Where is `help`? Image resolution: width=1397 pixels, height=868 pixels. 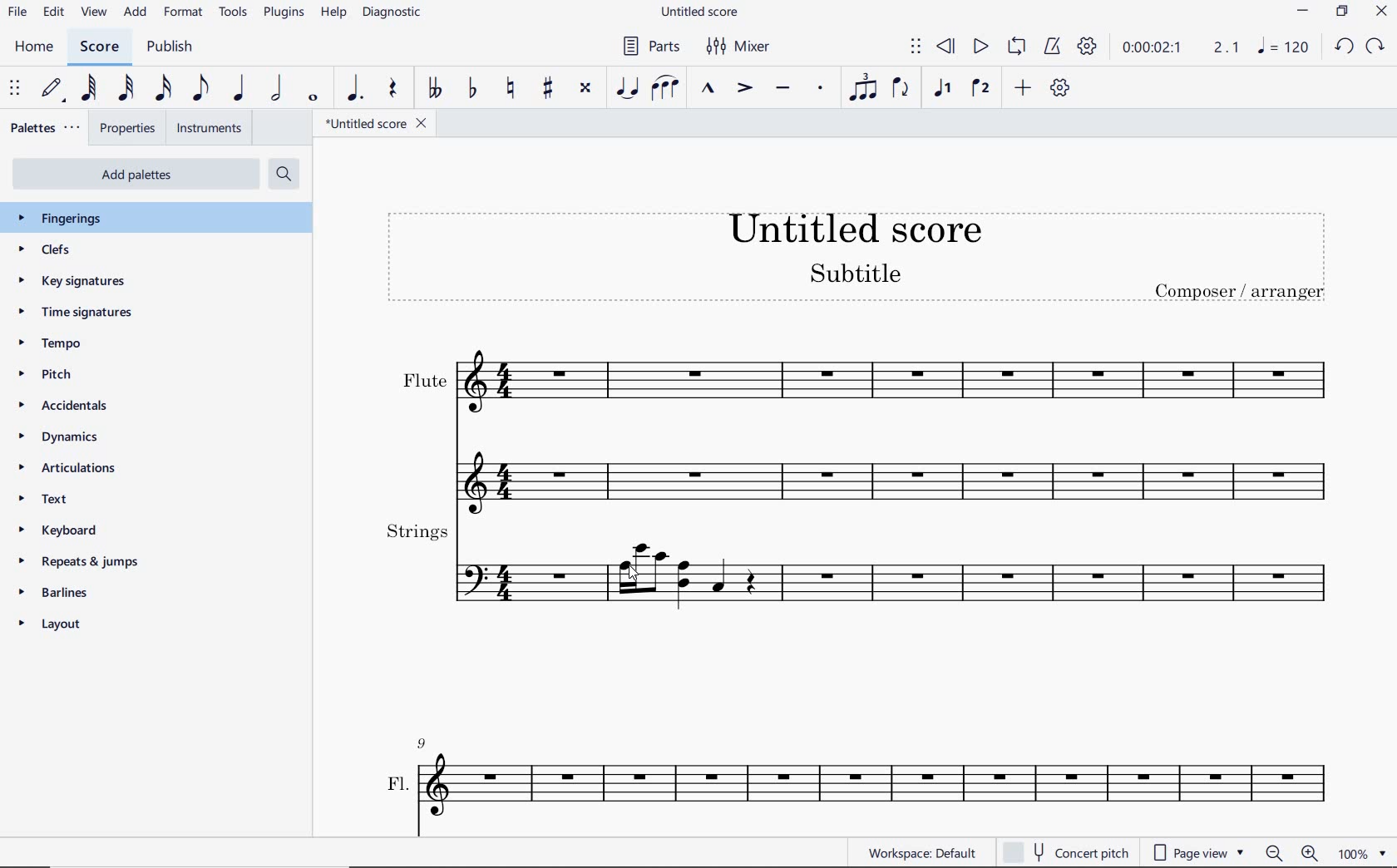
help is located at coordinates (334, 16).